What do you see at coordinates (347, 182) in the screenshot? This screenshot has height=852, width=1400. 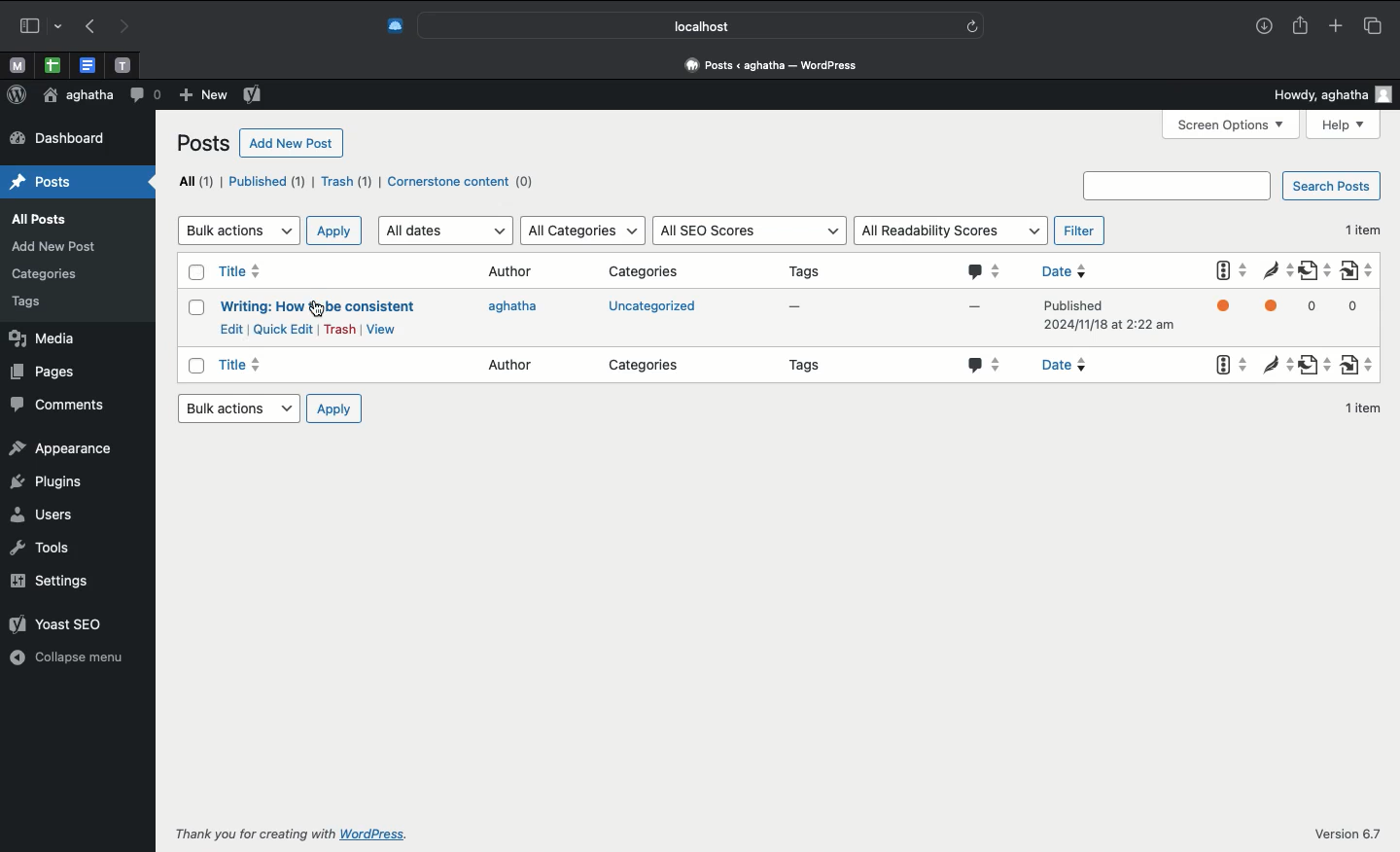 I see `Trash` at bounding box center [347, 182].